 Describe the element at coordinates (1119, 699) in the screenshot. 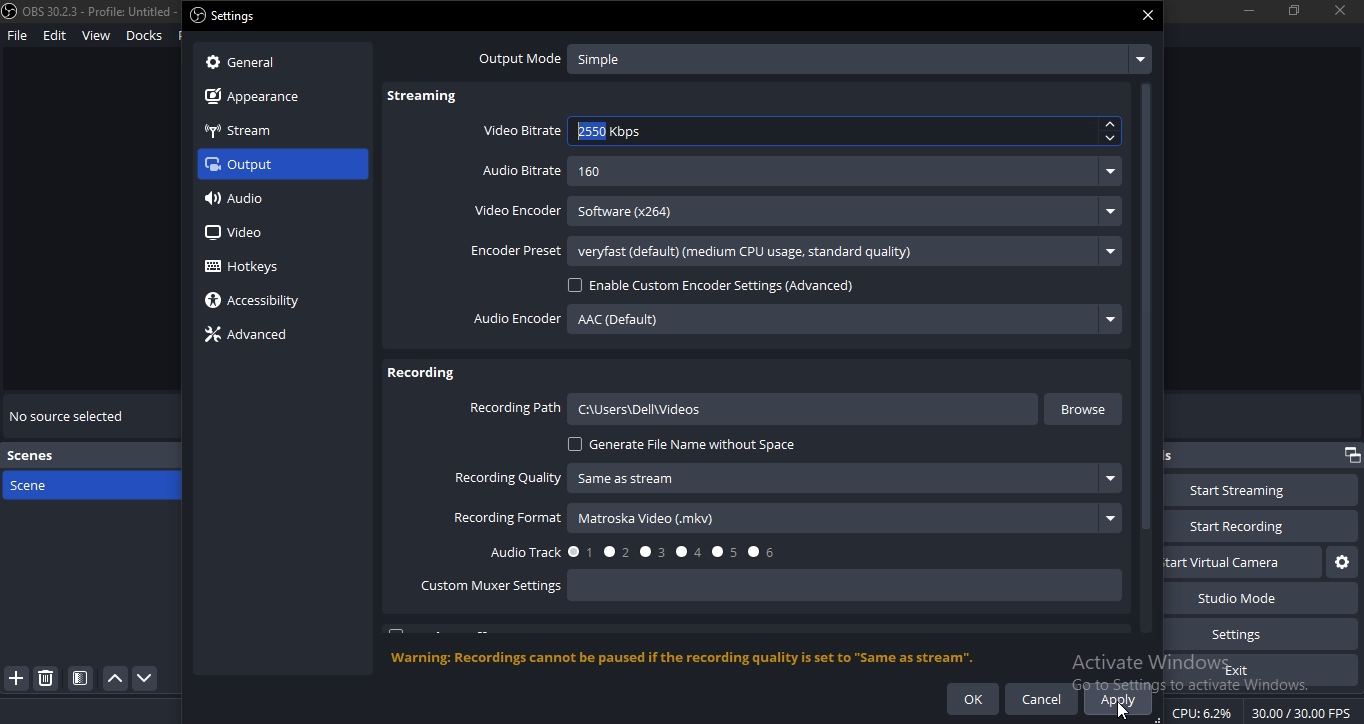

I see `apply ` at that location.